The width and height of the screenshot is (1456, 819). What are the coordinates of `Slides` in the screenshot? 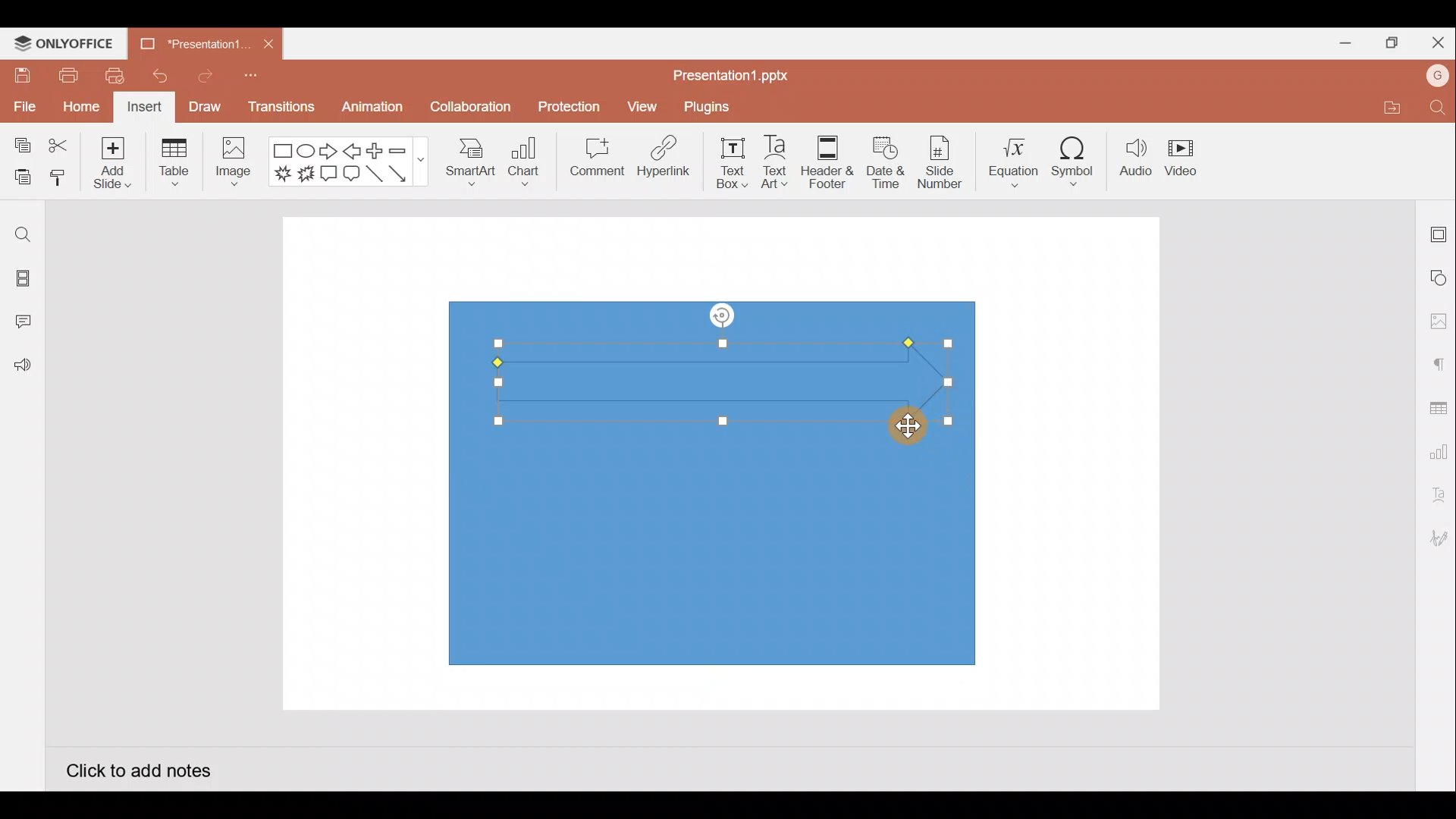 It's located at (21, 281).